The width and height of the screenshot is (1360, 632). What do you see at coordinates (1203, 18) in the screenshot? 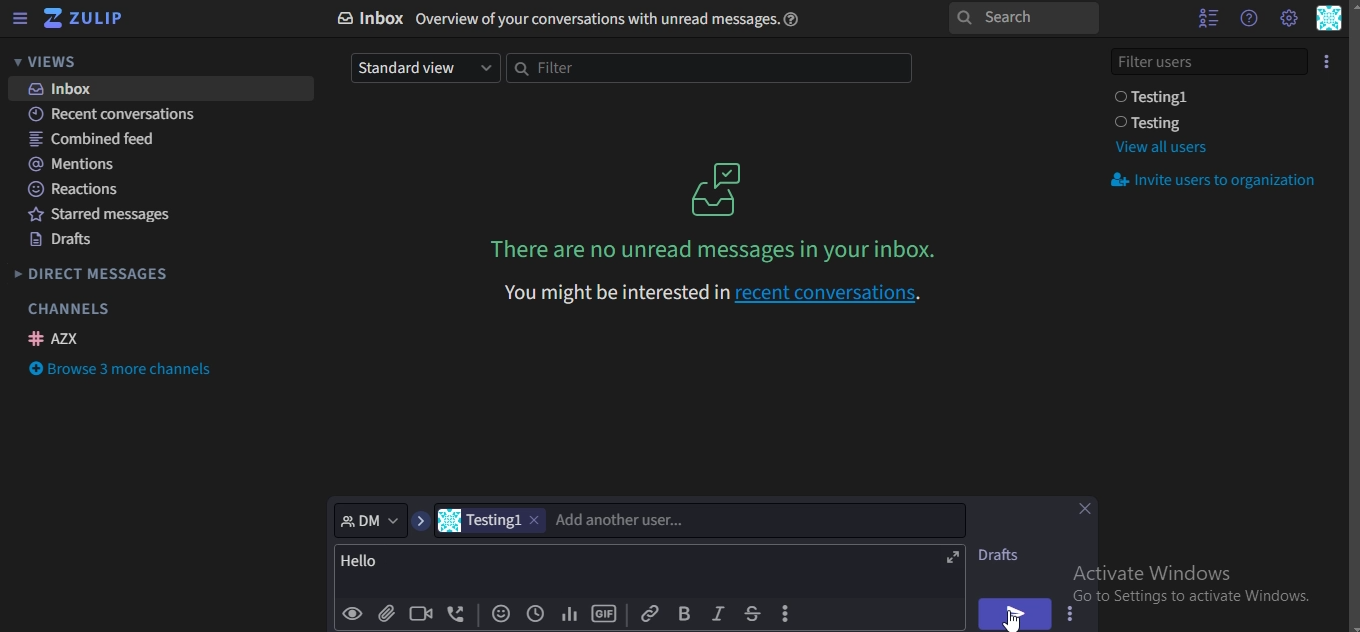
I see `hide userlist` at bounding box center [1203, 18].